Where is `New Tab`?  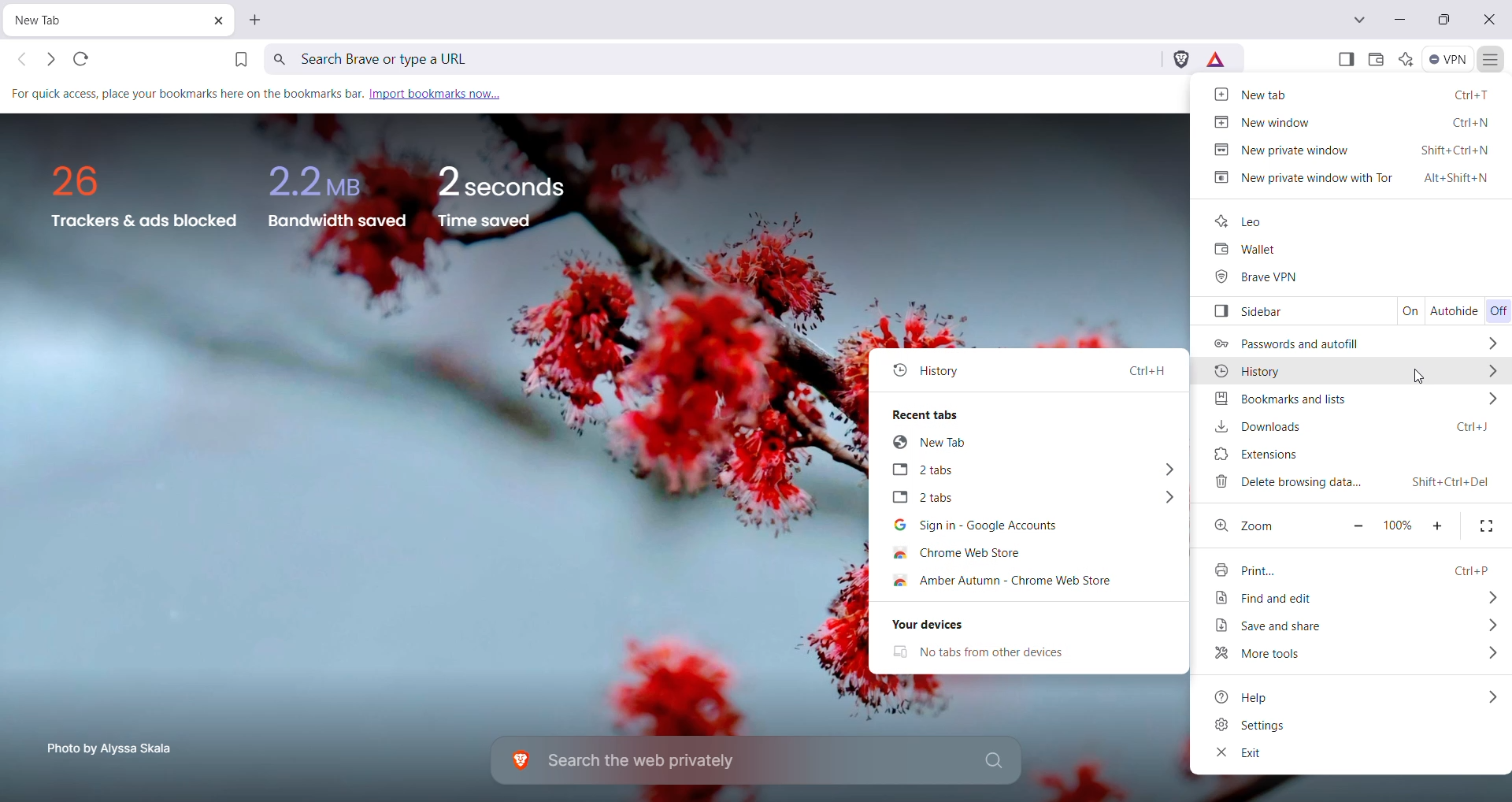 New Tab is located at coordinates (83, 20).